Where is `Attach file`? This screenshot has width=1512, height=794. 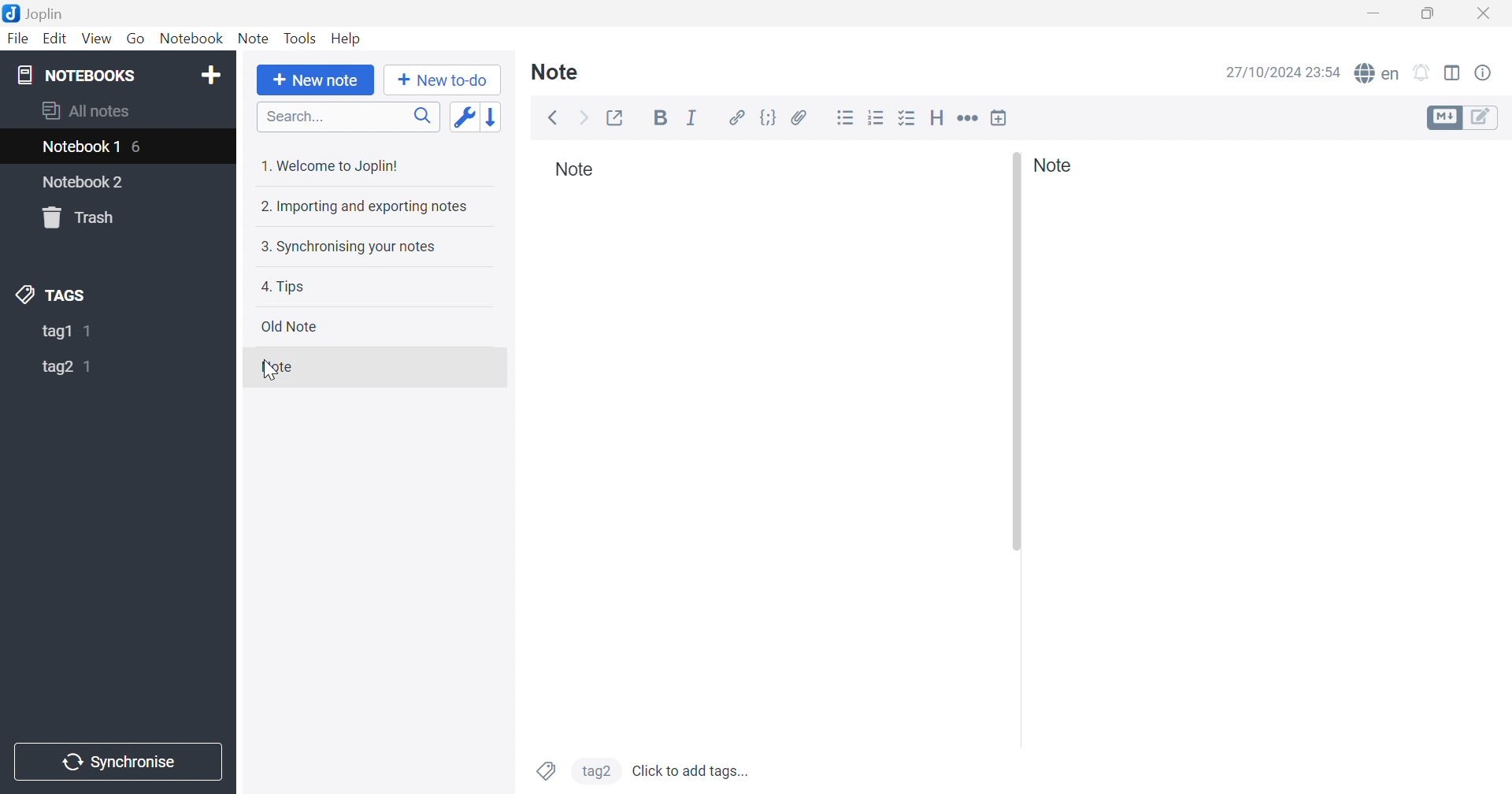 Attach file is located at coordinates (799, 119).